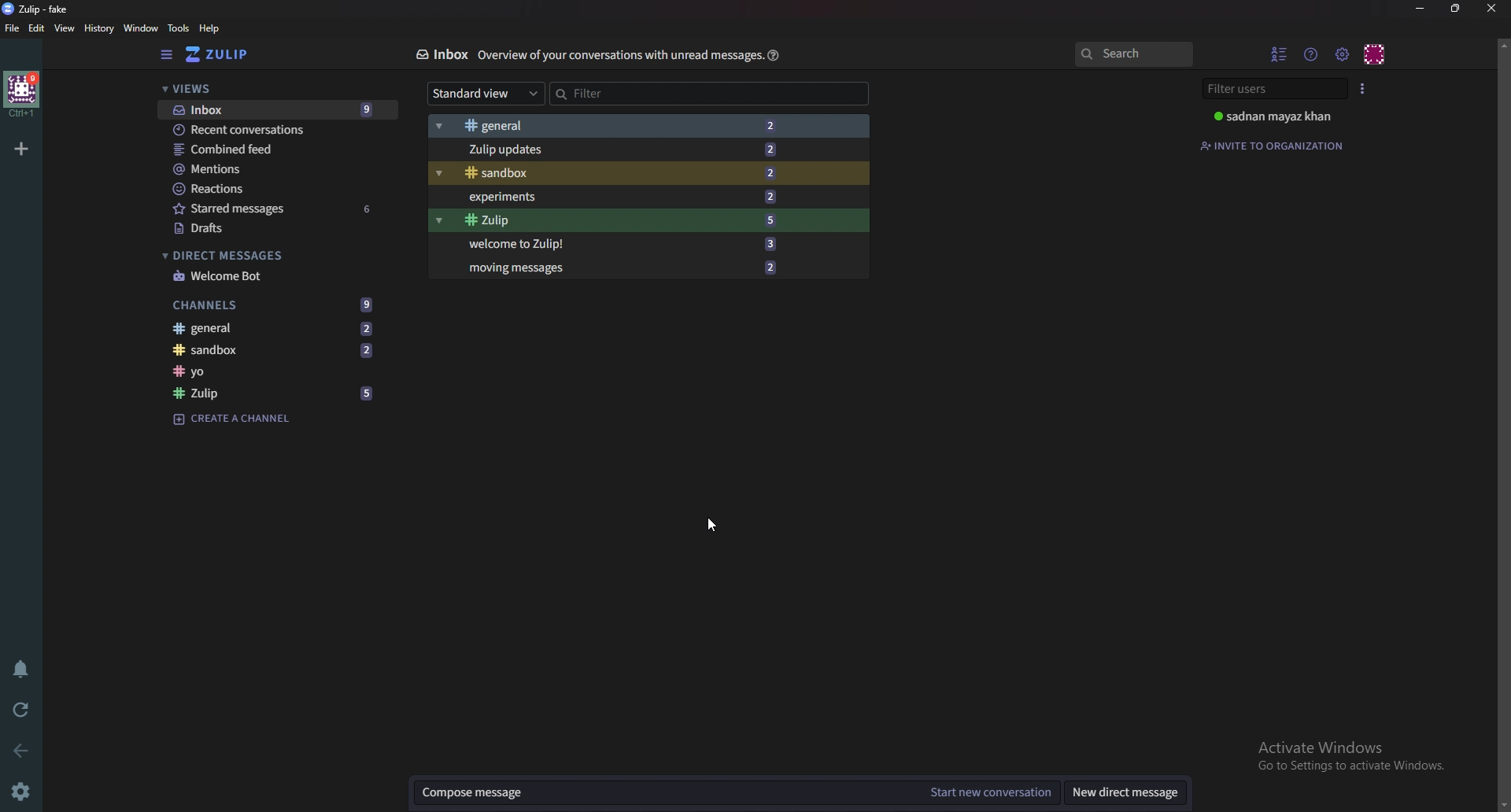 This screenshot has width=1511, height=812. I want to click on Views, so click(267, 90).